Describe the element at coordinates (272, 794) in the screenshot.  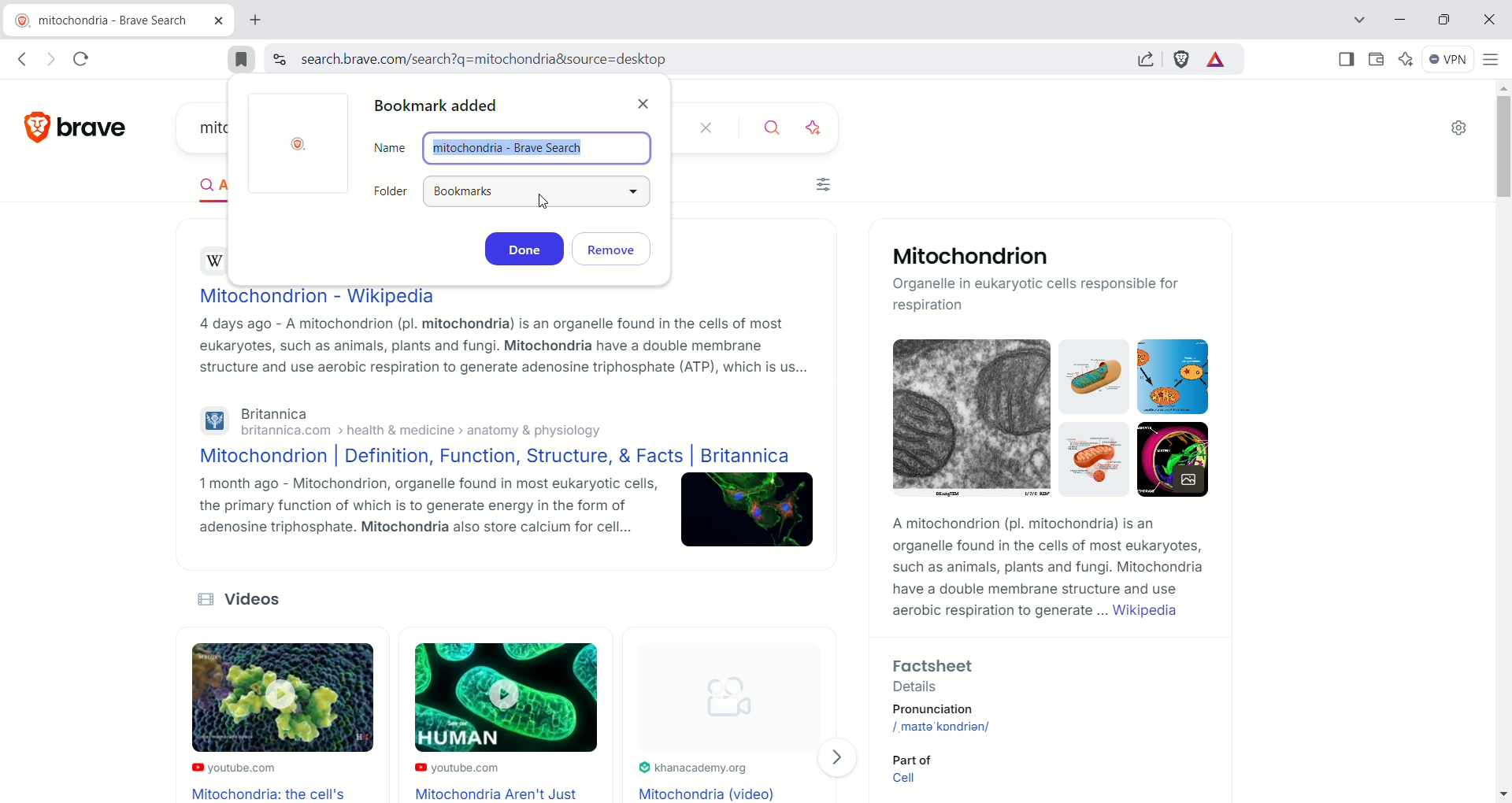
I see `Mitochondria: the cell's` at that location.